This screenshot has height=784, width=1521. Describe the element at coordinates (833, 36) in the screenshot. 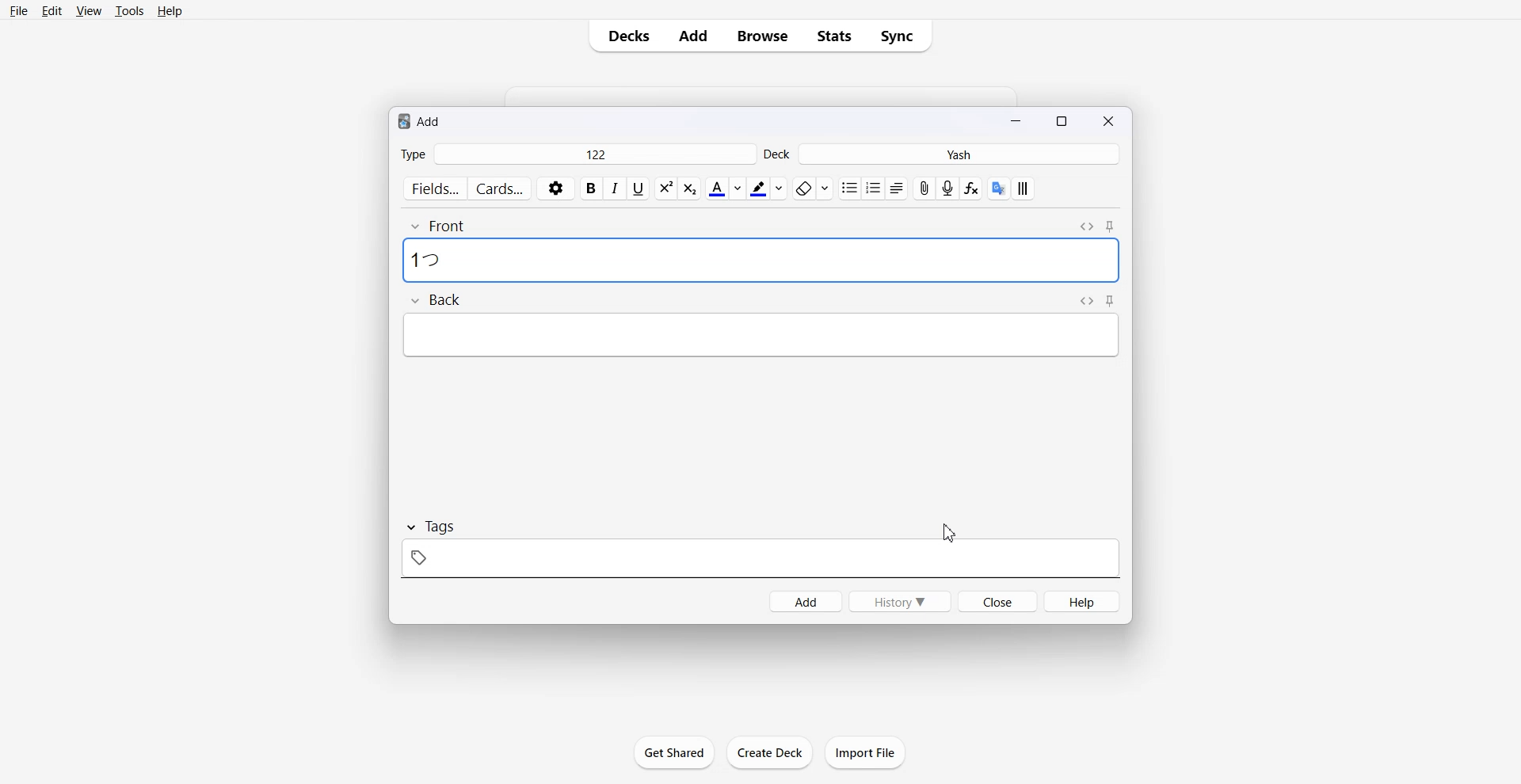

I see `Stats` at that location.